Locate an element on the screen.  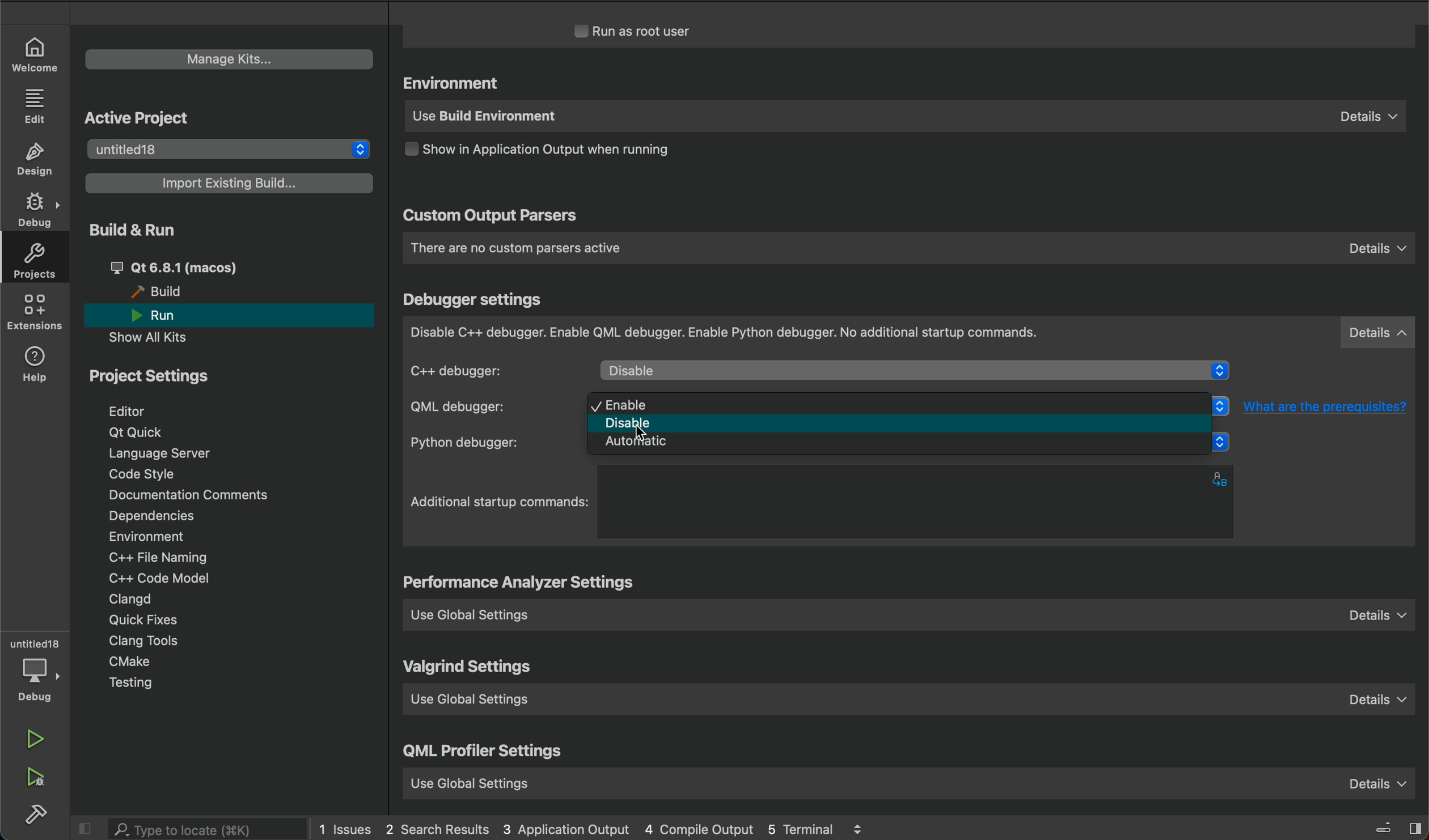
code style is located at coordinates (144, 476).